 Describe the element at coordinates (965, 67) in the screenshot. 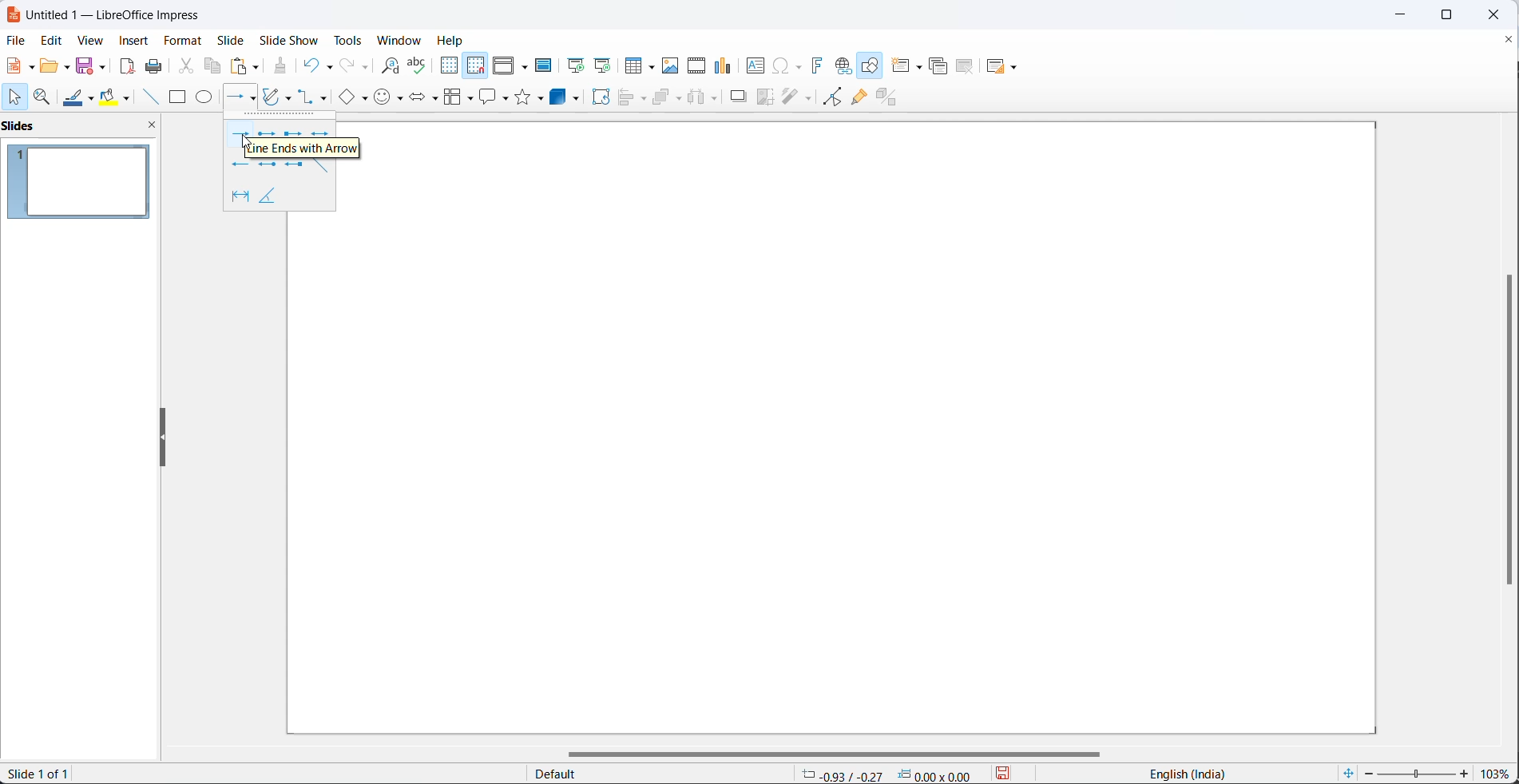

I see `delete slide ` at that location.